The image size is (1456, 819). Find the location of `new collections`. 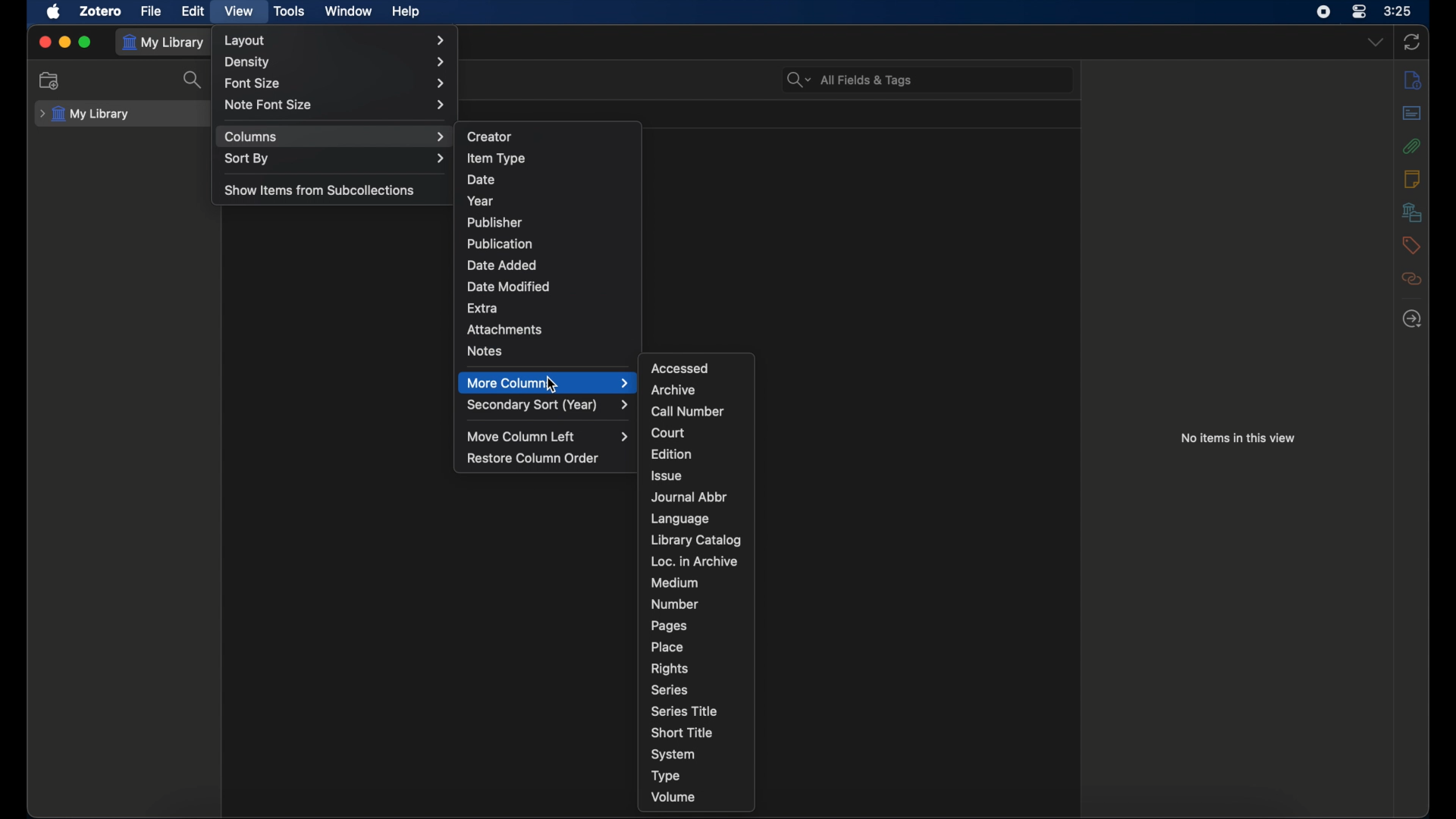

new collections is located at coordinates (49, 80).